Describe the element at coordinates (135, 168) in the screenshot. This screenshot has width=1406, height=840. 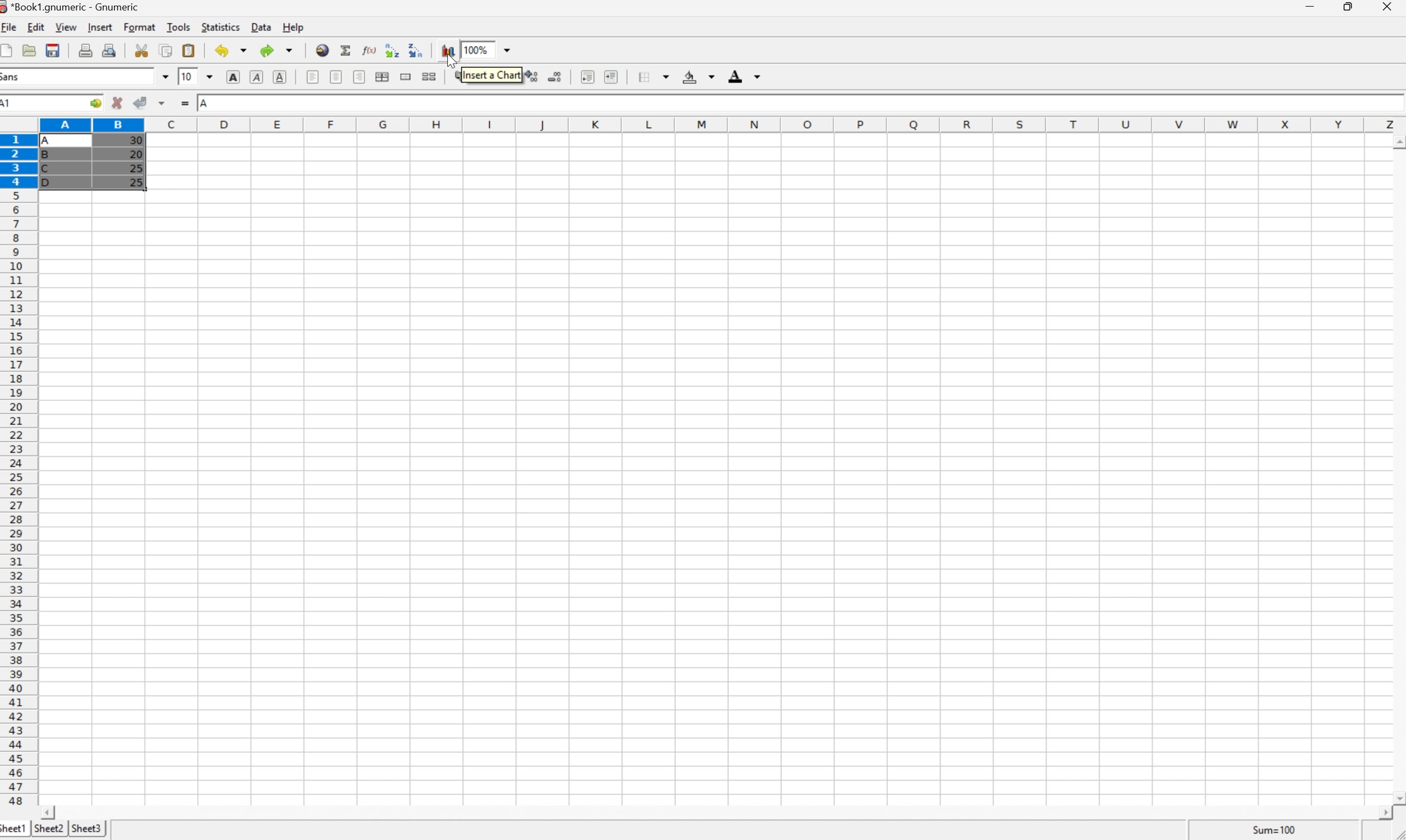
I see `25` at that location.